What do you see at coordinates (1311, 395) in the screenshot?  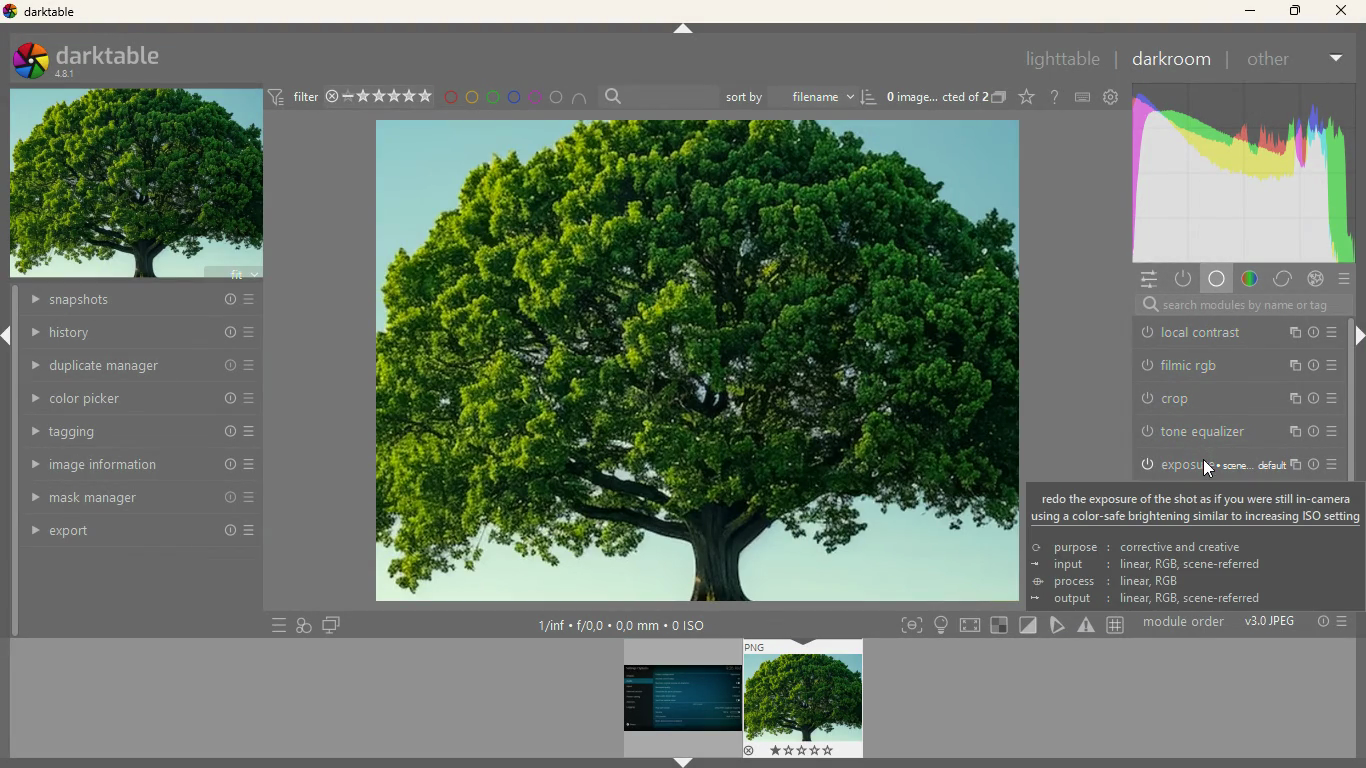 I see `more` at bounding box center [1311, 395].